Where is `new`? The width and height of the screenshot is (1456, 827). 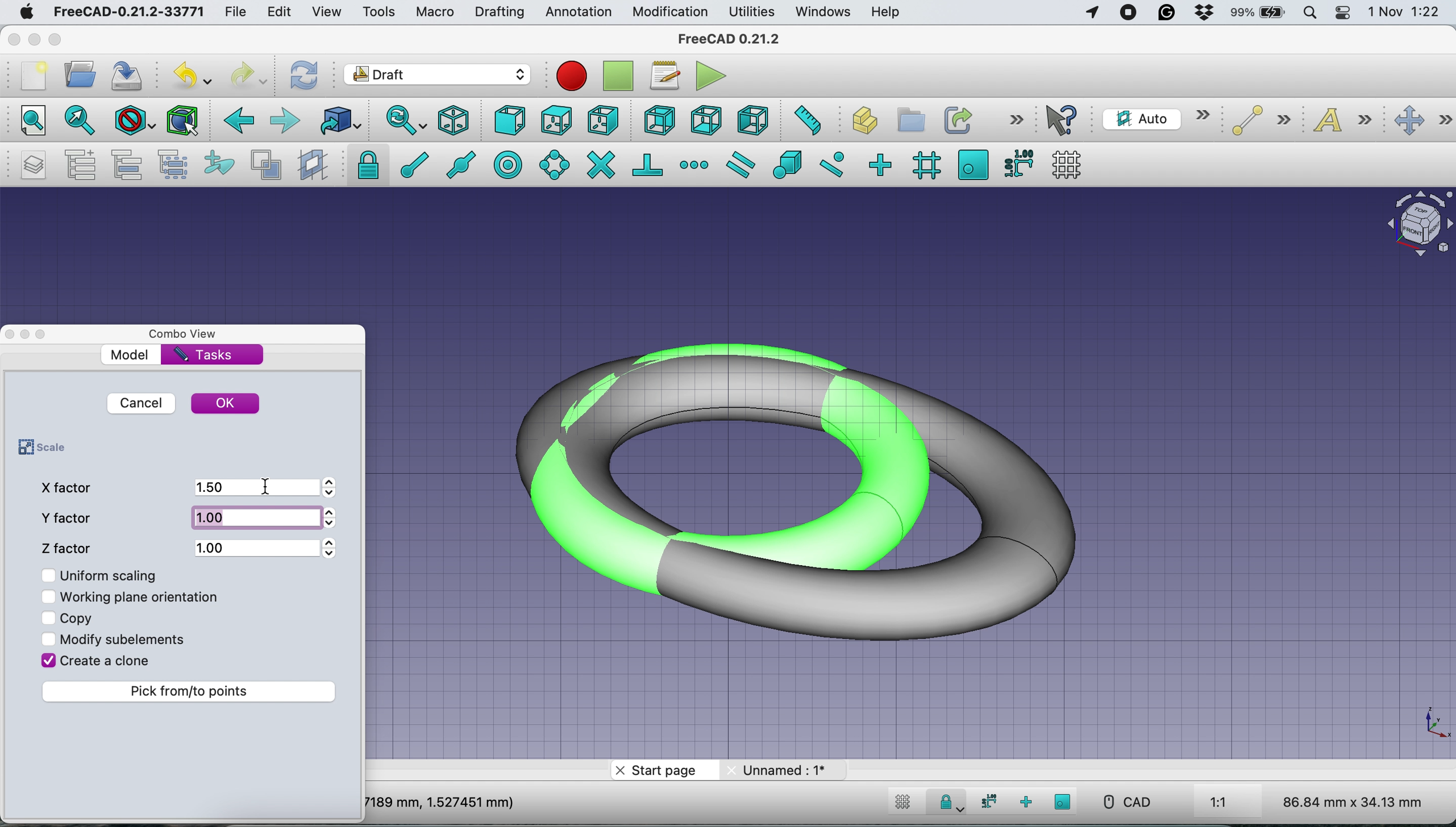
new is located at coordinates (32, 76).